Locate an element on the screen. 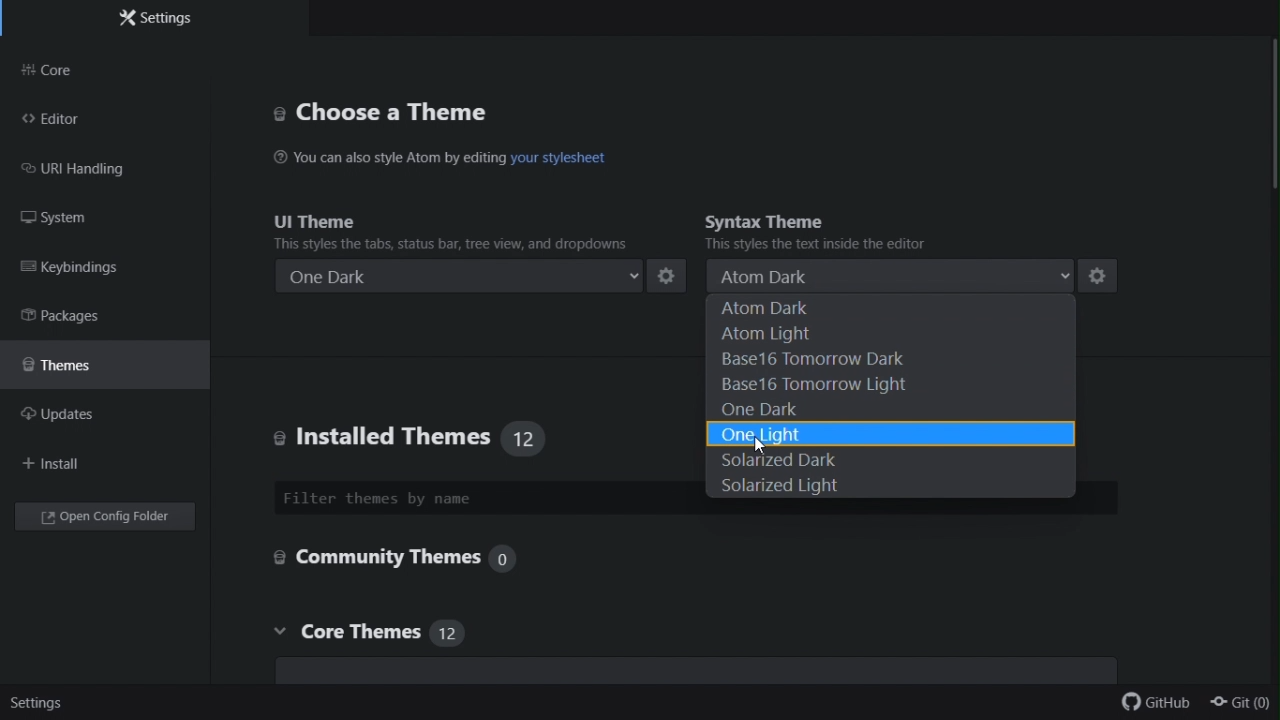 This screenshot has width=1280, height=720. Core themes is located at coordinates (440, 637).